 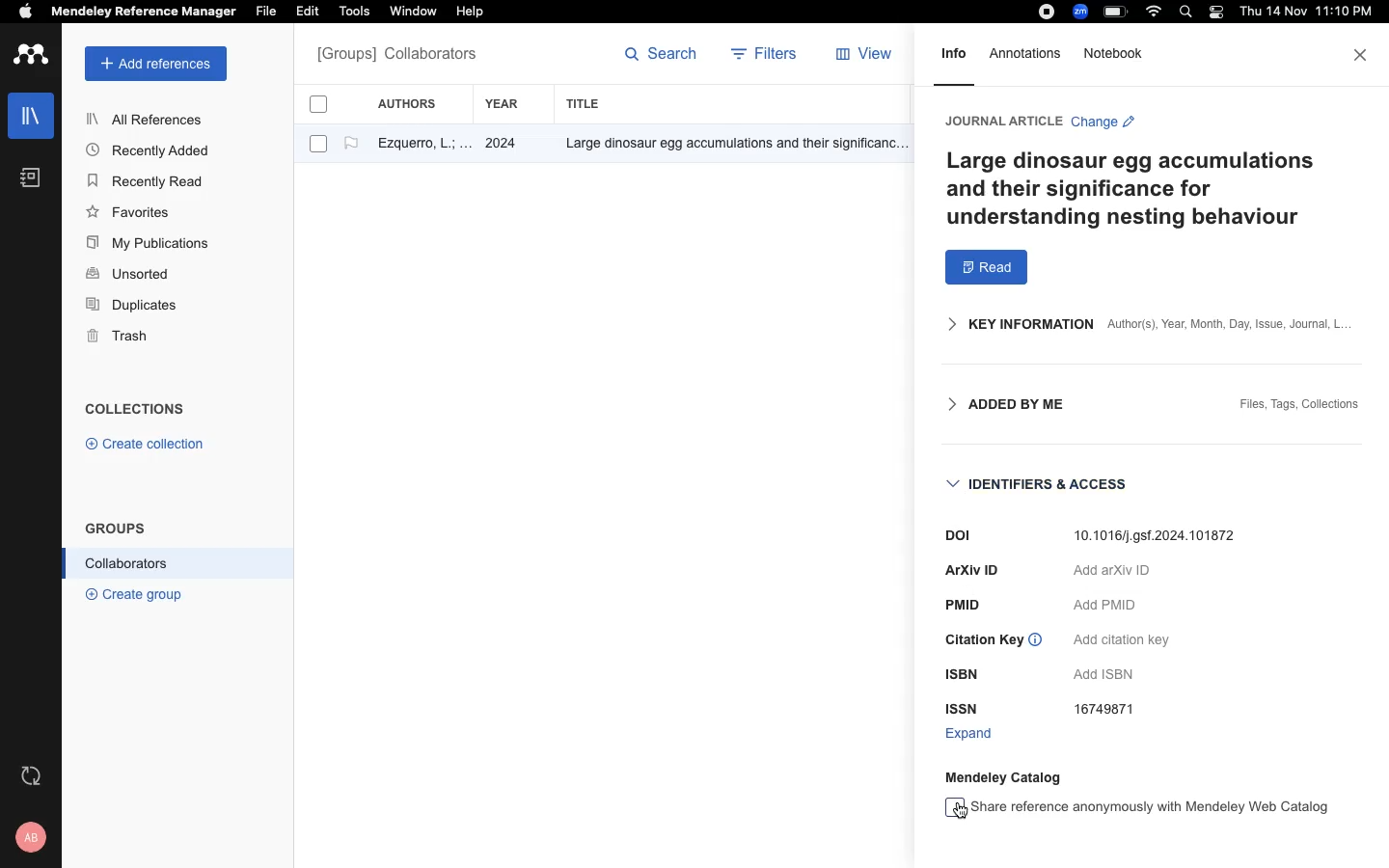 I want to click on date and time, so click(x=1302, y=14).